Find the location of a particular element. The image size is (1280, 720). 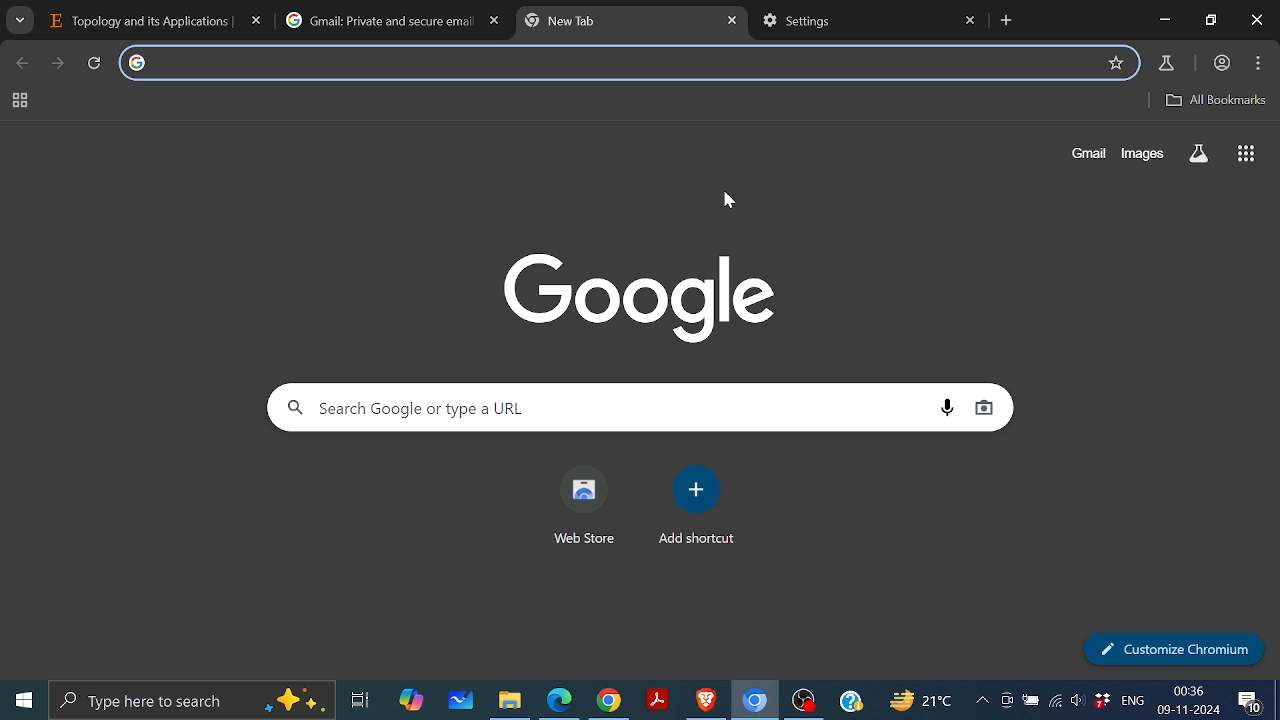

Close 2nd tab is located at coordinates (495, 21).